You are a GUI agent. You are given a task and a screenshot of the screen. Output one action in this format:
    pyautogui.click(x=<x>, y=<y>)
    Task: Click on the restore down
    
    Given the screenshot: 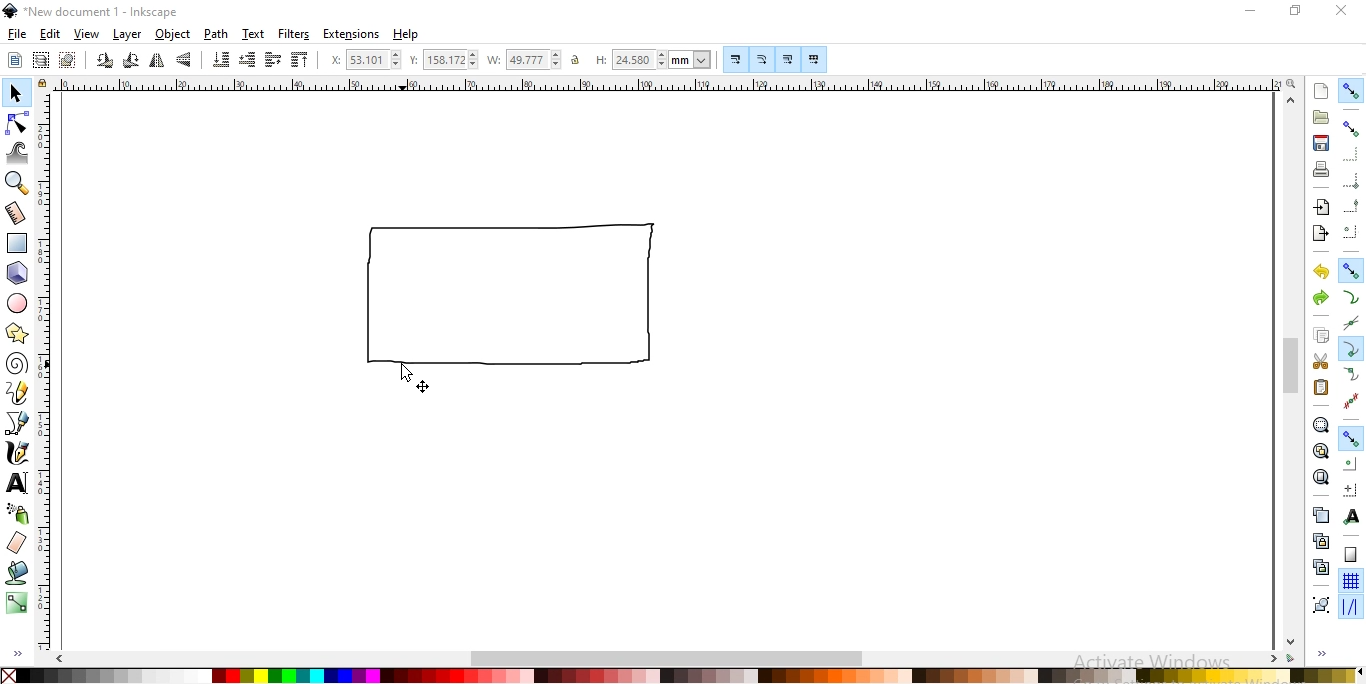 What is the action you would take?
    pyautogui.click(x=1294, y=12)
    